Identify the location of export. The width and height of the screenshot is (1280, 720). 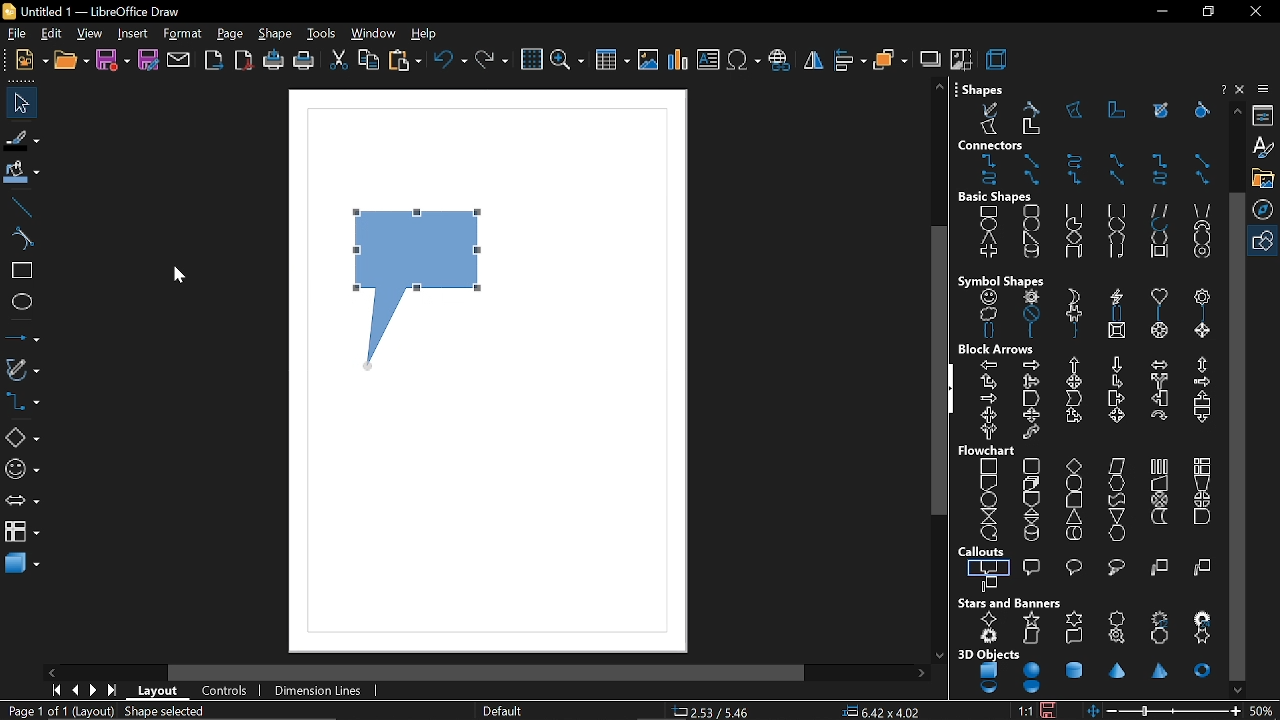
(214, 62).